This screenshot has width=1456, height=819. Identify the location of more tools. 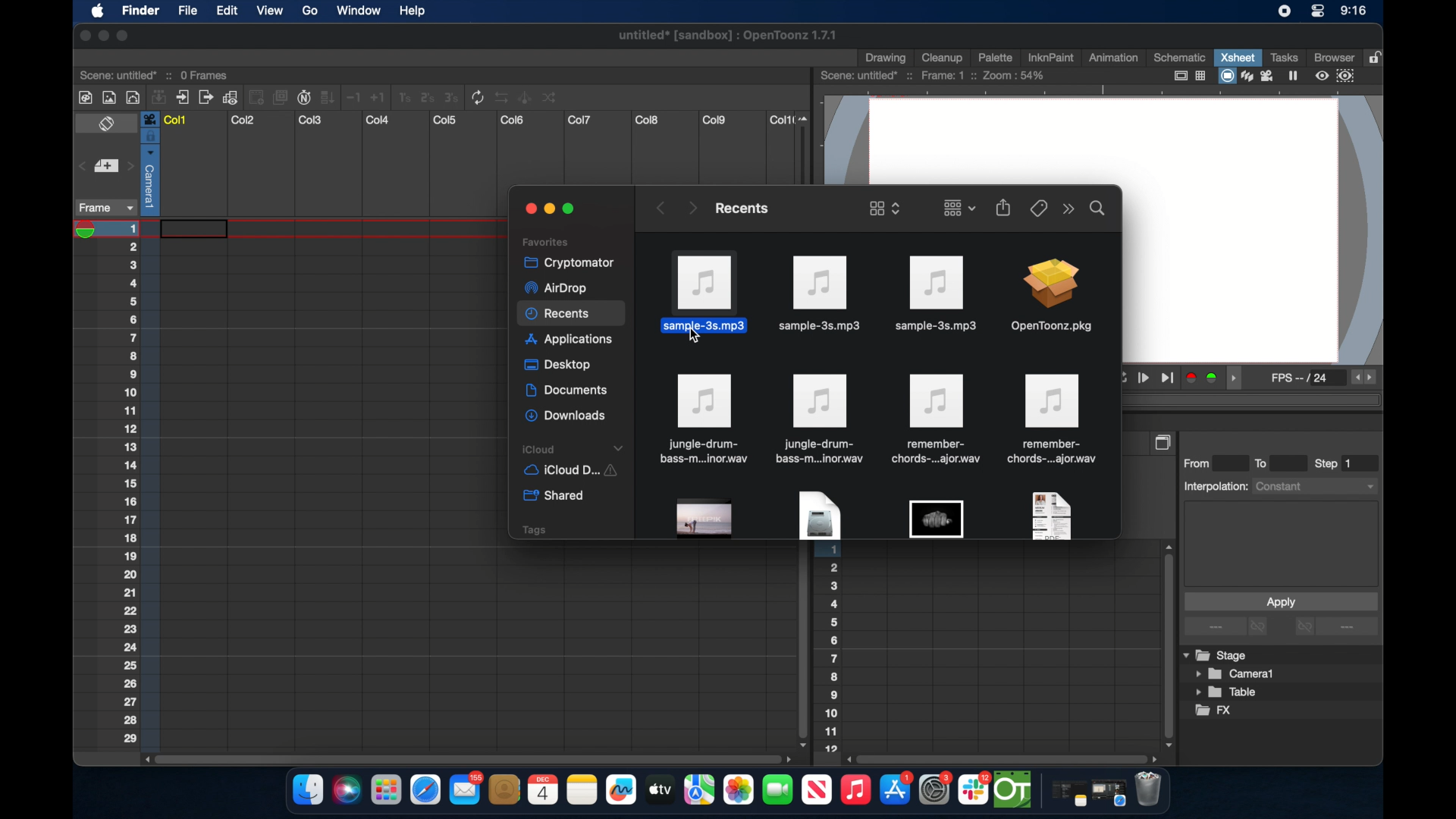
(319, 96).